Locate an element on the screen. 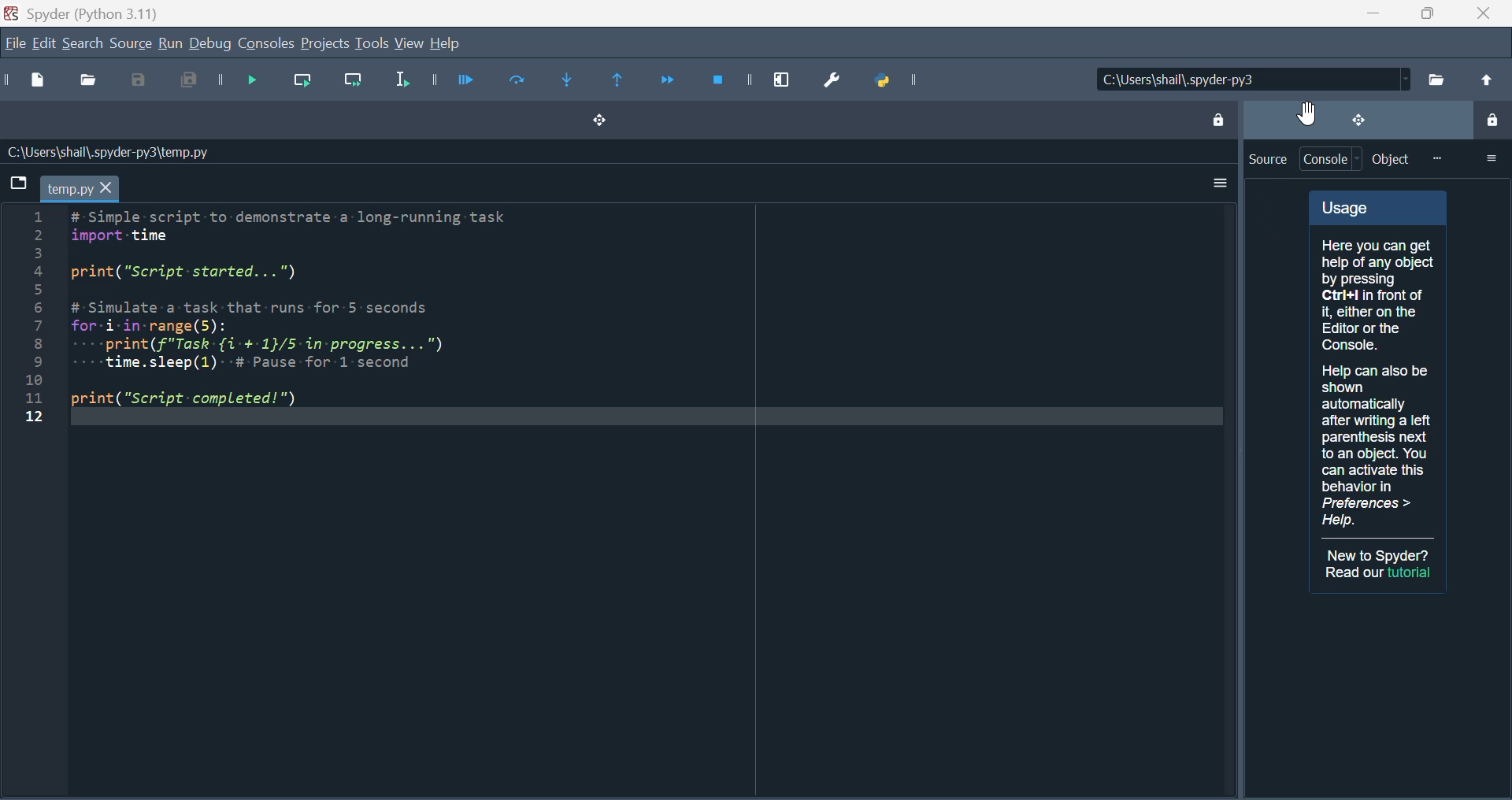 This screenshot has height=800, width=1512. Source is located at coordinates (130, 43).